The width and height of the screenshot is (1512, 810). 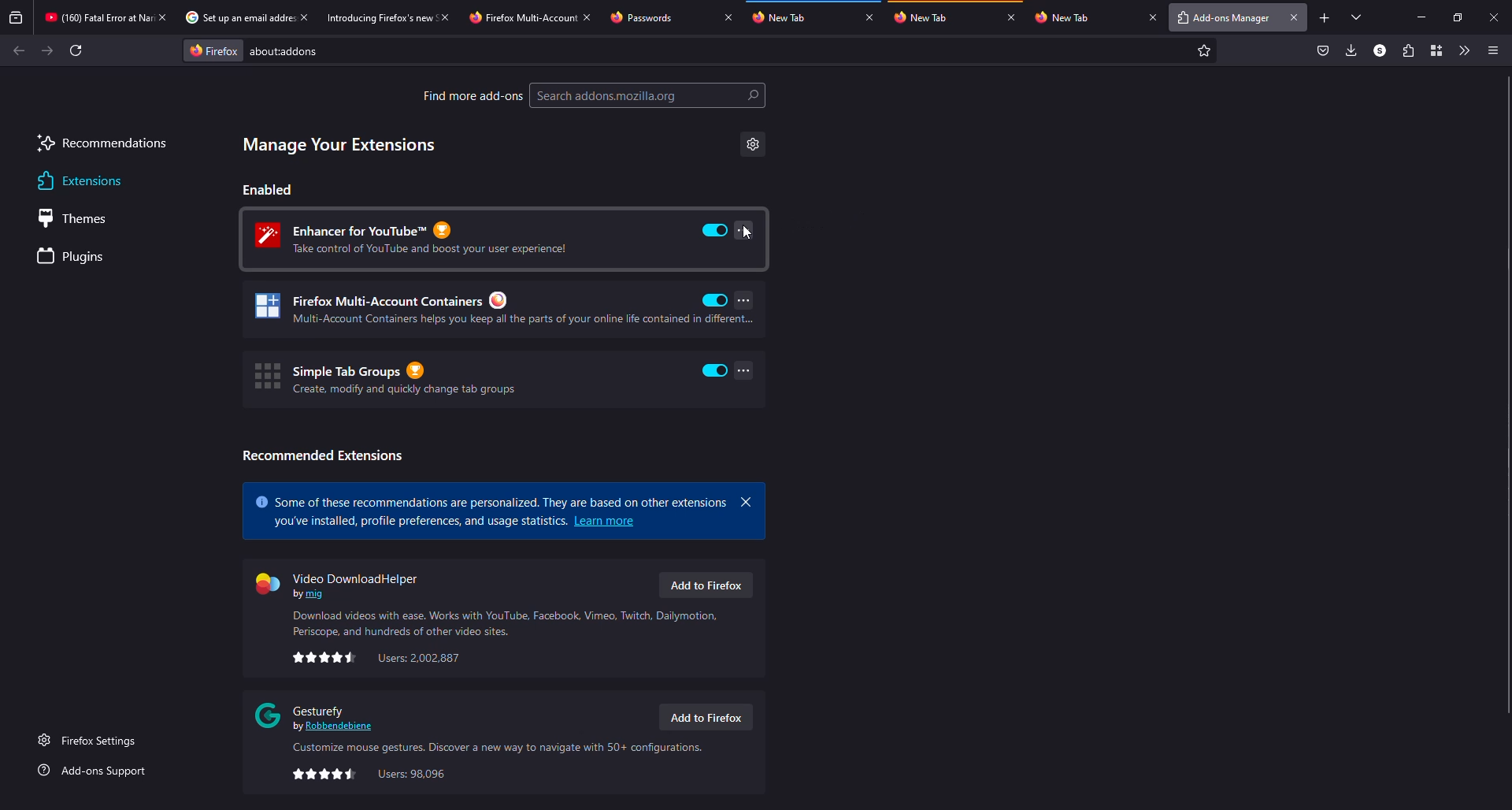 What do you see at coordinates (79, 218) in the screenshot?
I see `themes` at bounding box center [79, 218].